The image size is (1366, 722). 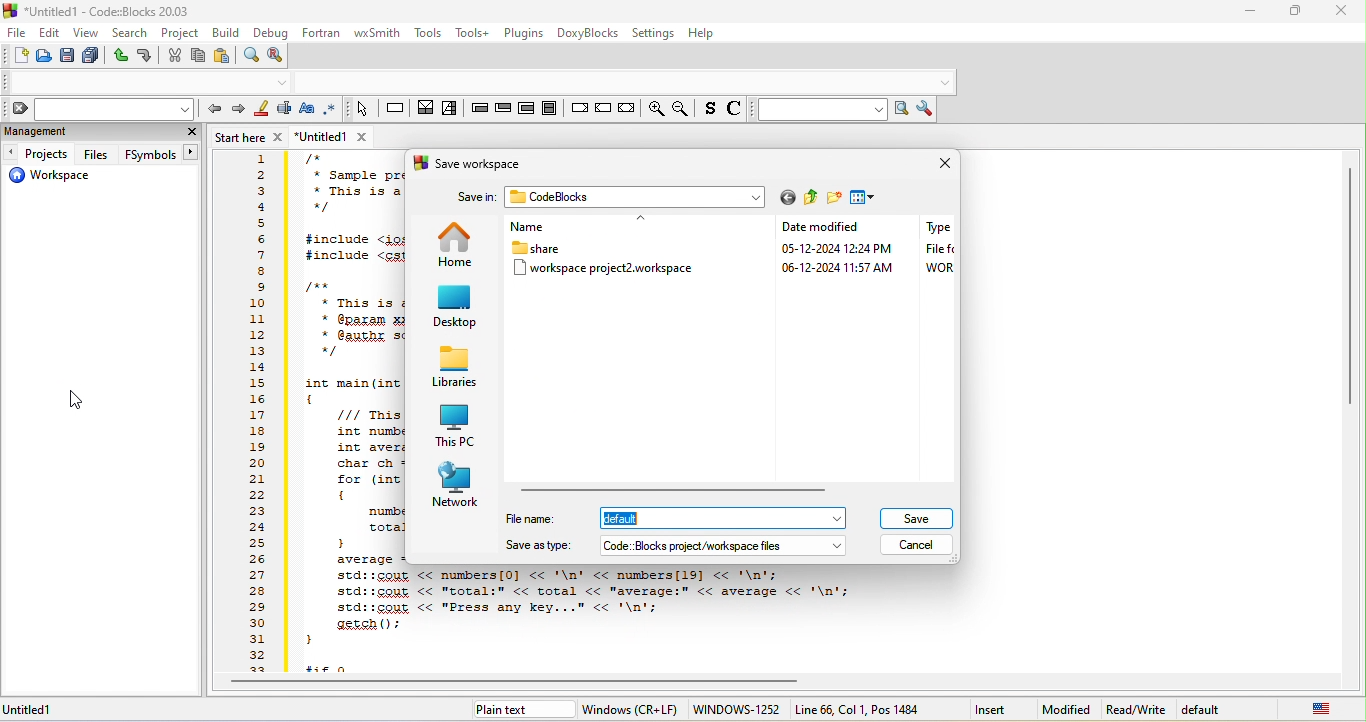 I want to click on zoom in, so click(x=655, y=108).